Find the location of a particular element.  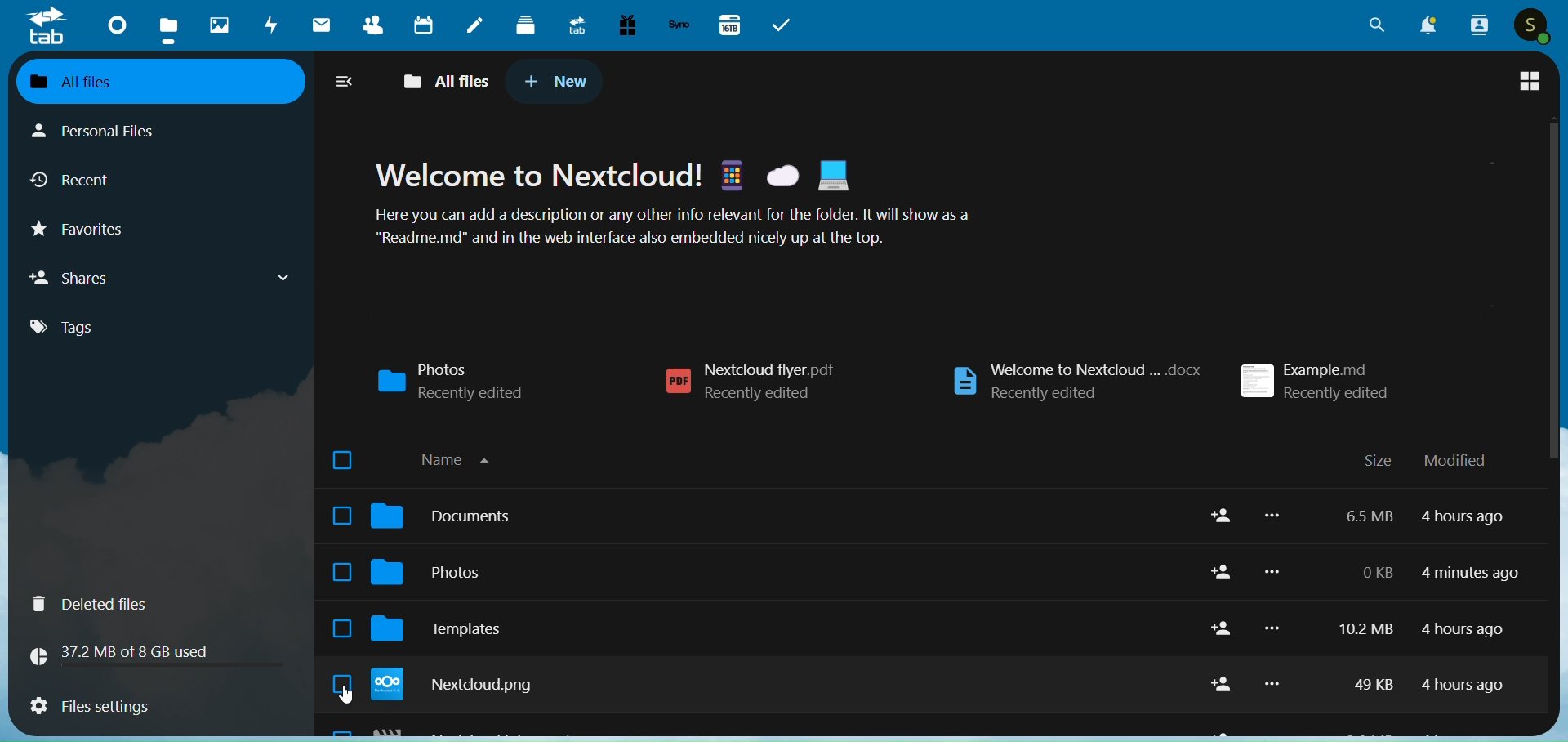

Photos Recently edited is located at coordinates (452, 382).